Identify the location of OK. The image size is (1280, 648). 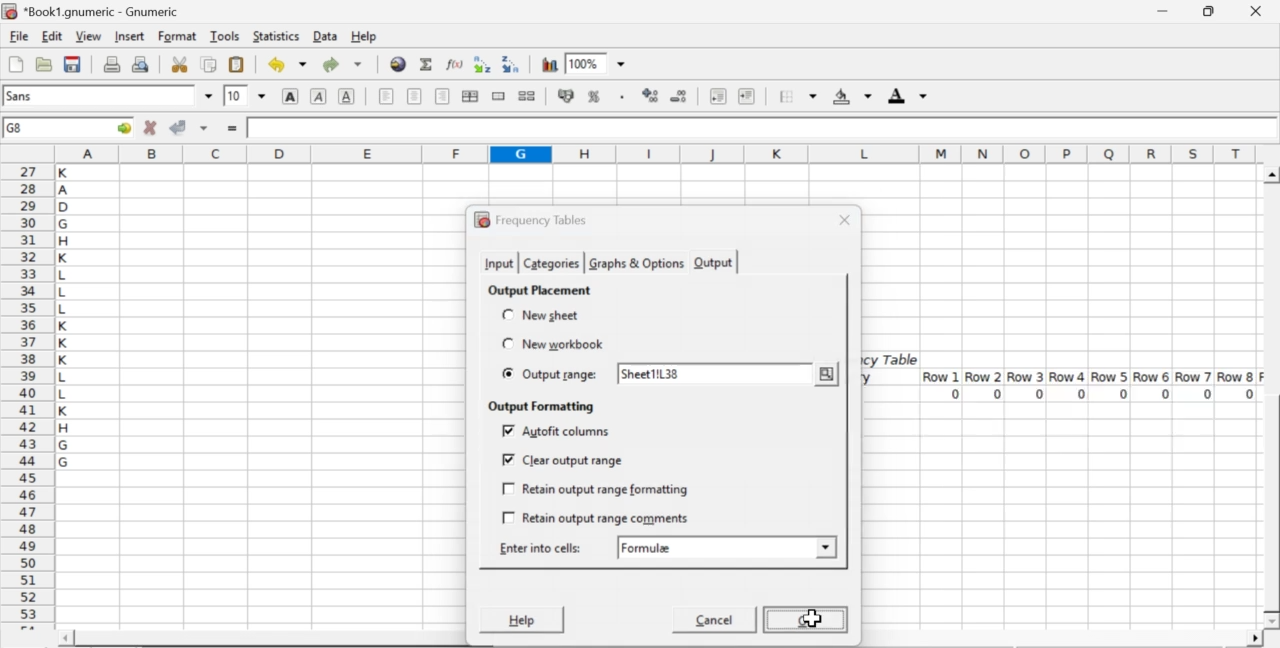
(807, 619).